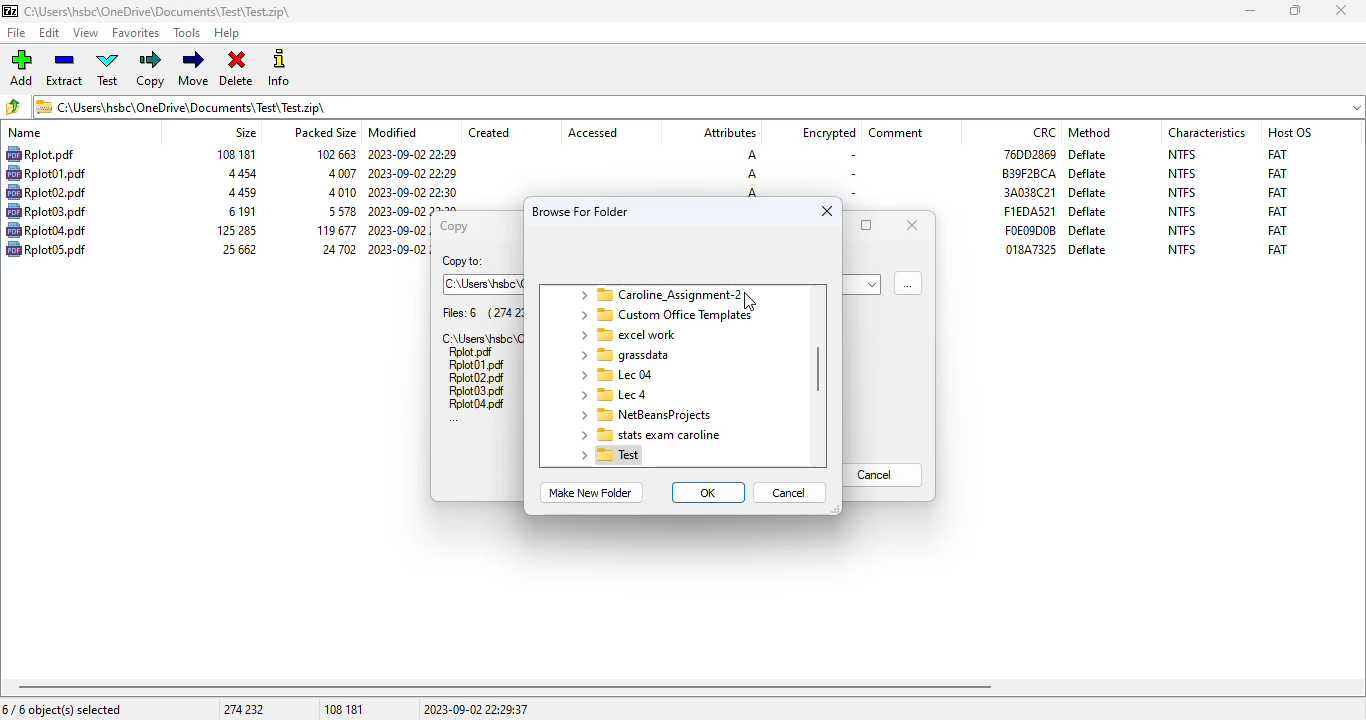  Describe the element at coordinates (240, 211) in the screenshot. I see `size` at that location.